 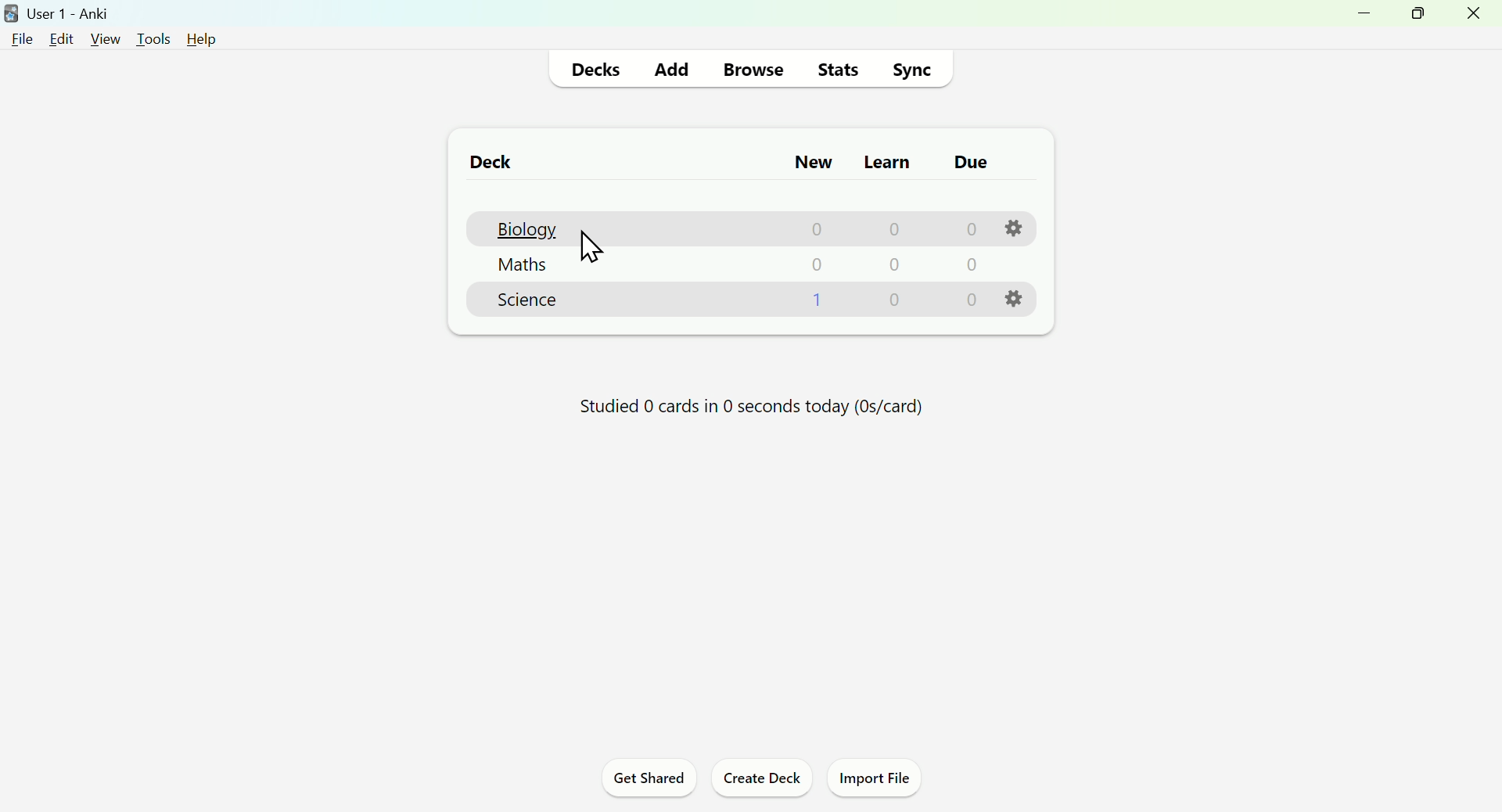 What do you see at coordinates (1012, 297) in the screenshot?
I see `settings` at bounding box center [1012, 297].